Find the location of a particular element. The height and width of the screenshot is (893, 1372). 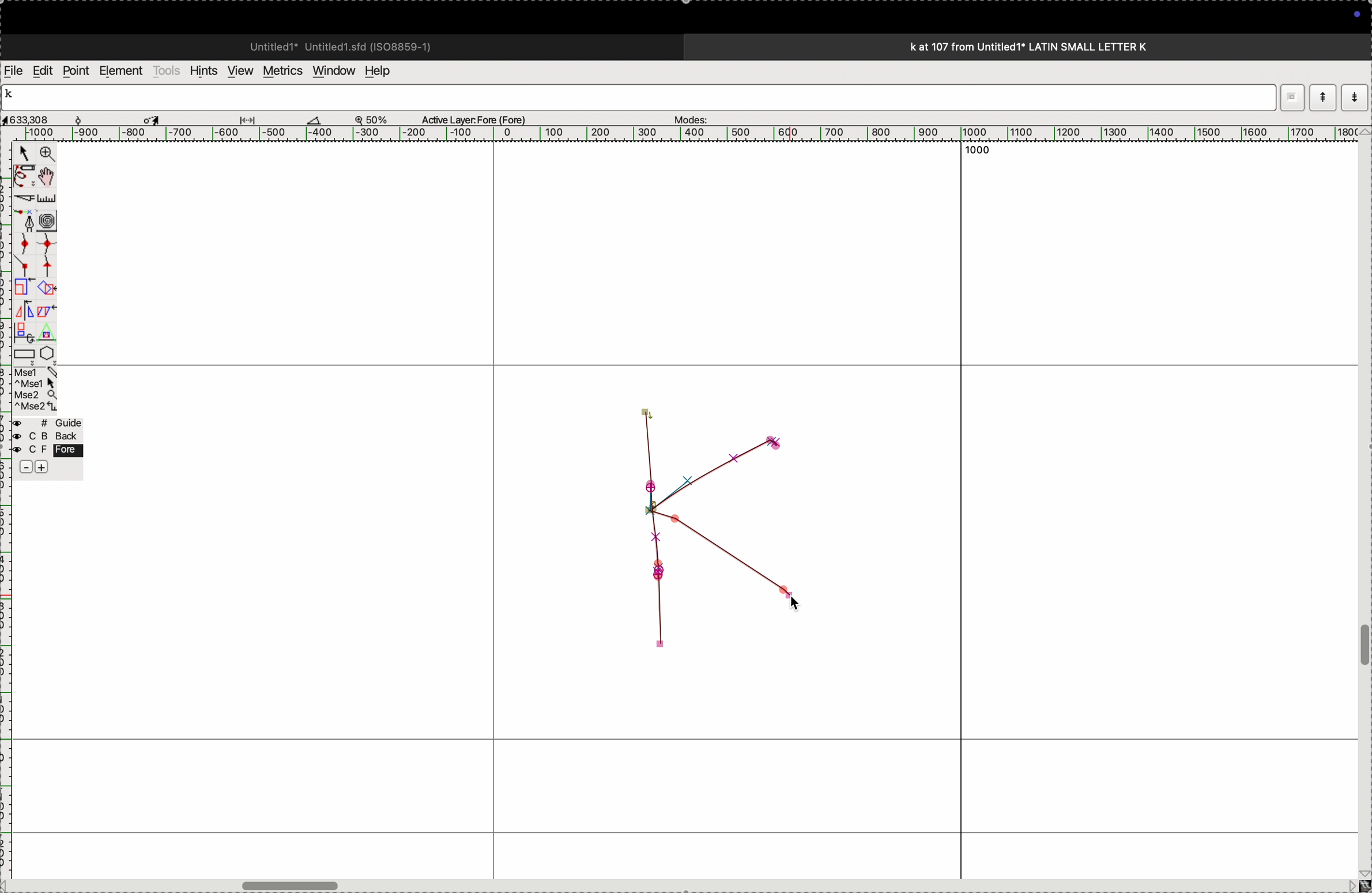

scale is located at coordinates (49, 198).